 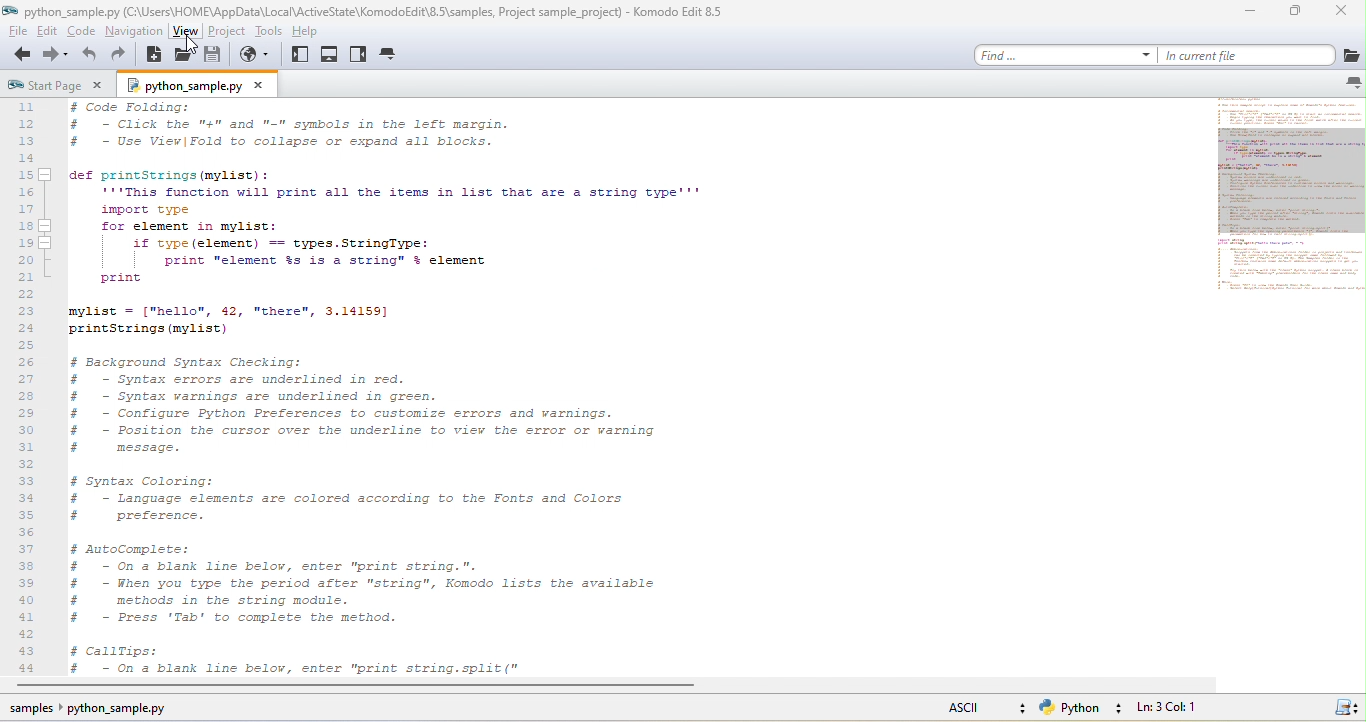 I want to click on edit, so click(x=50, y=34).